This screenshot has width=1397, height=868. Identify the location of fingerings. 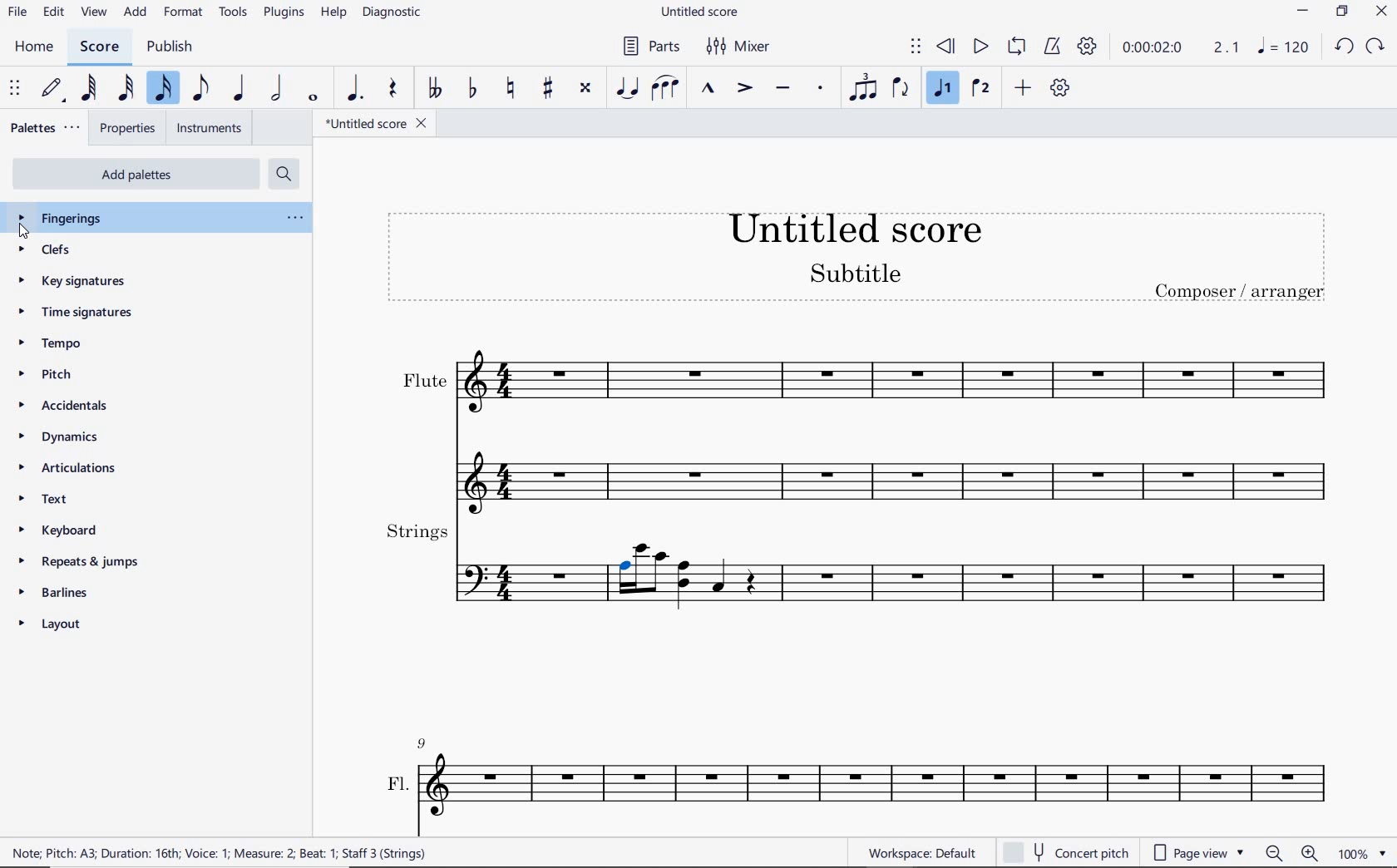
(139, 216).